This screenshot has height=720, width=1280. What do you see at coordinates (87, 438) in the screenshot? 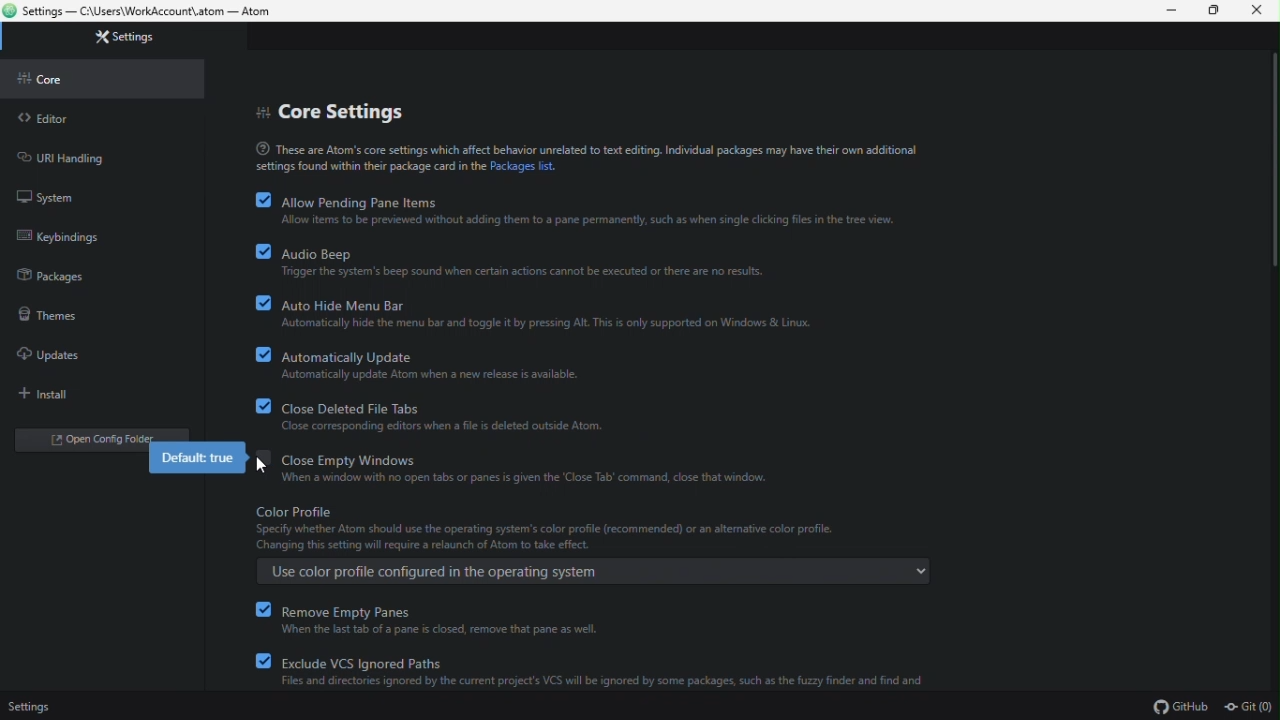
I see `open folder` at bounding box center [87, 438].